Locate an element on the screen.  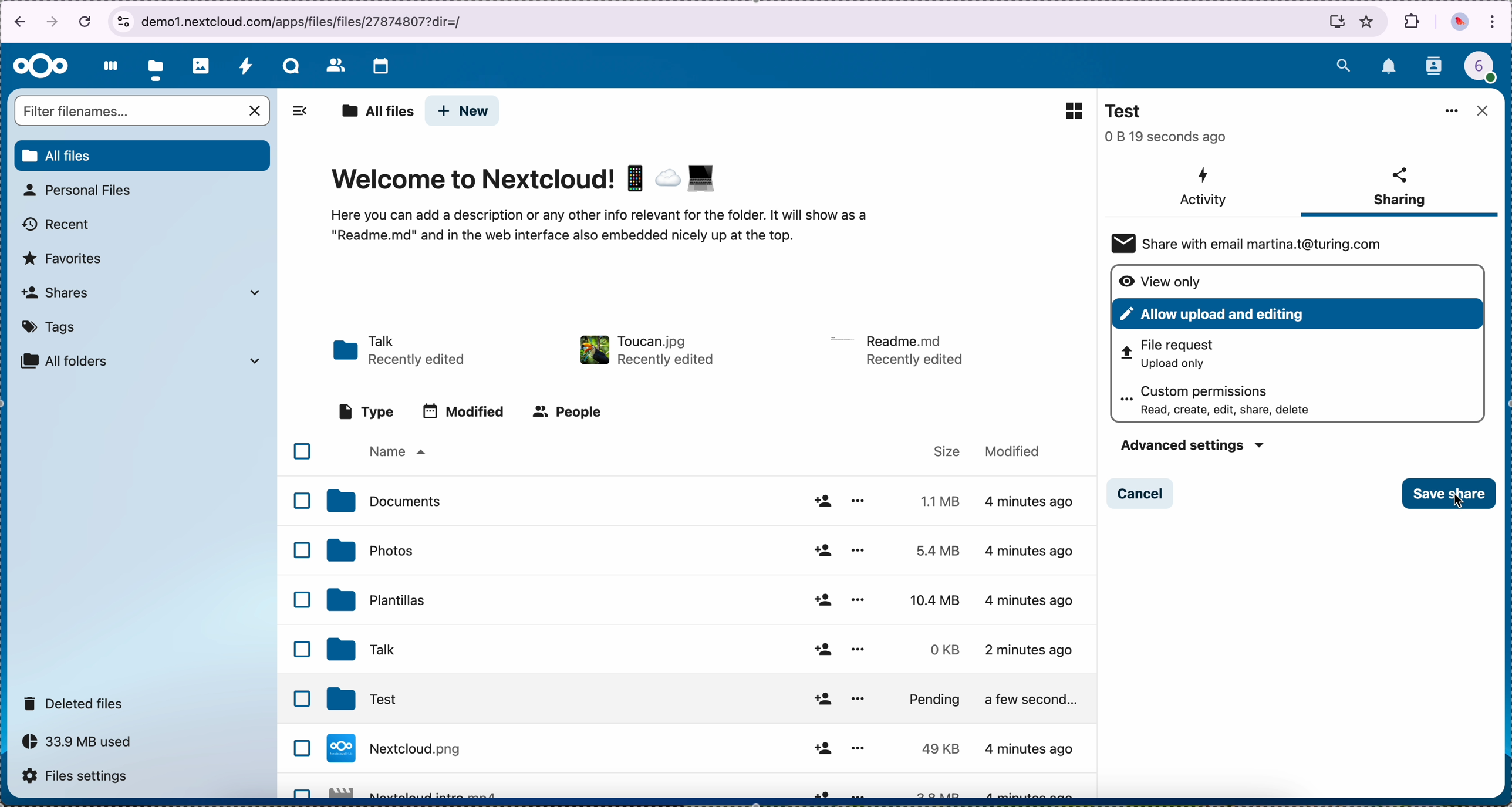
file is located at coordinates (705, 787).